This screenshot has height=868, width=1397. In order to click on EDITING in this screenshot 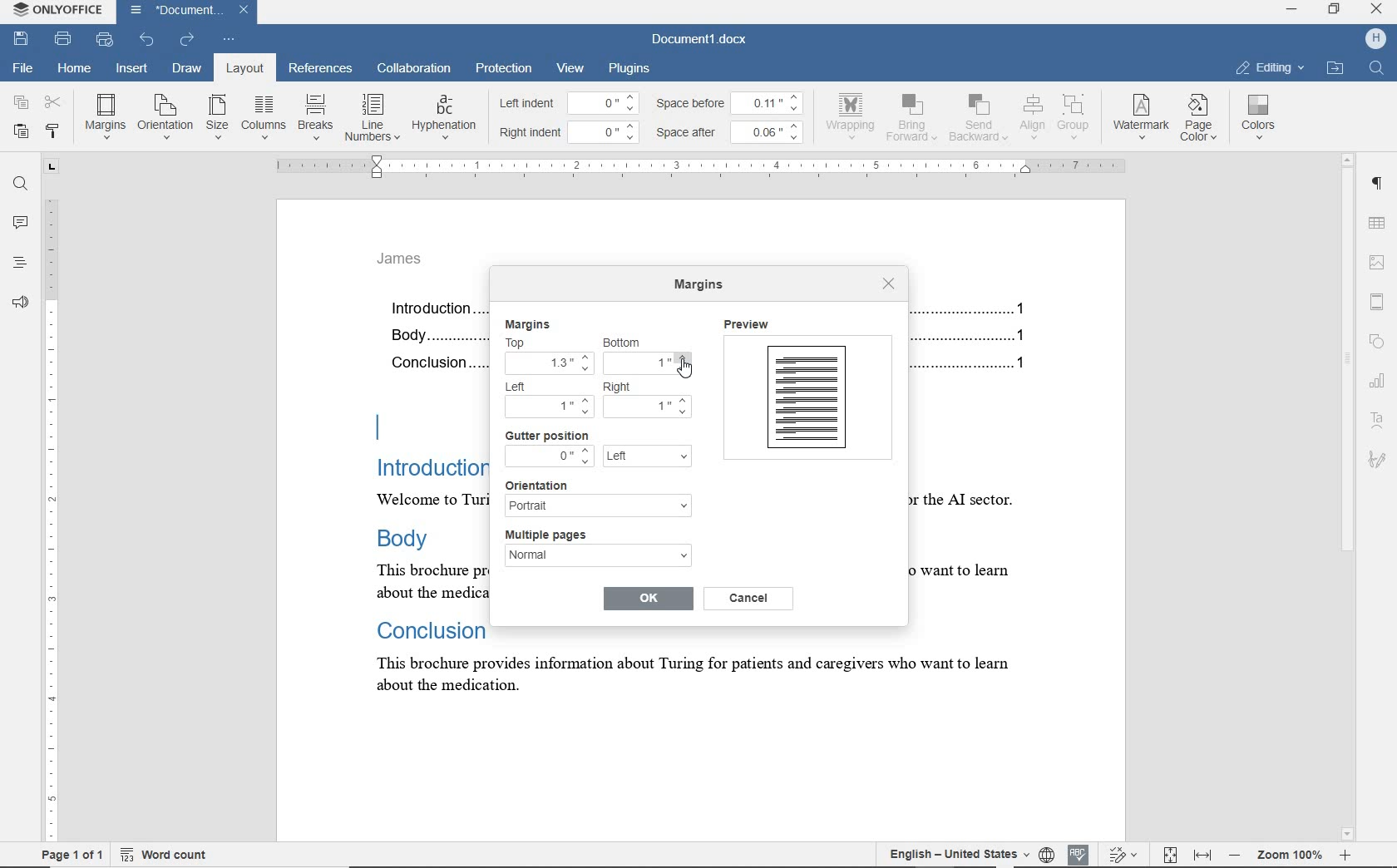, I will do `click(1270, 67)`.